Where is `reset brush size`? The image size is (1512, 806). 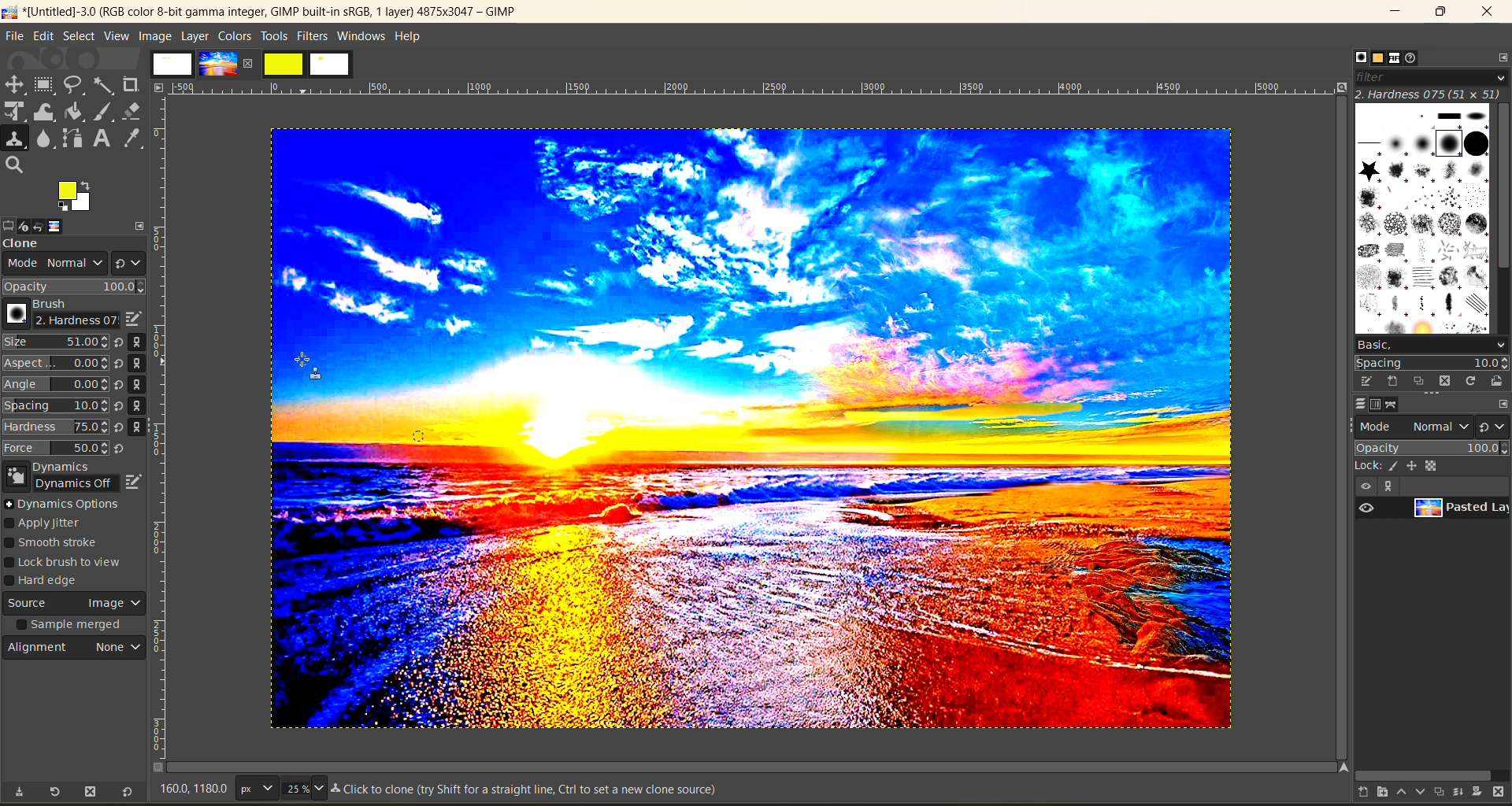
reset brush size is located at coordinates (121, 396).